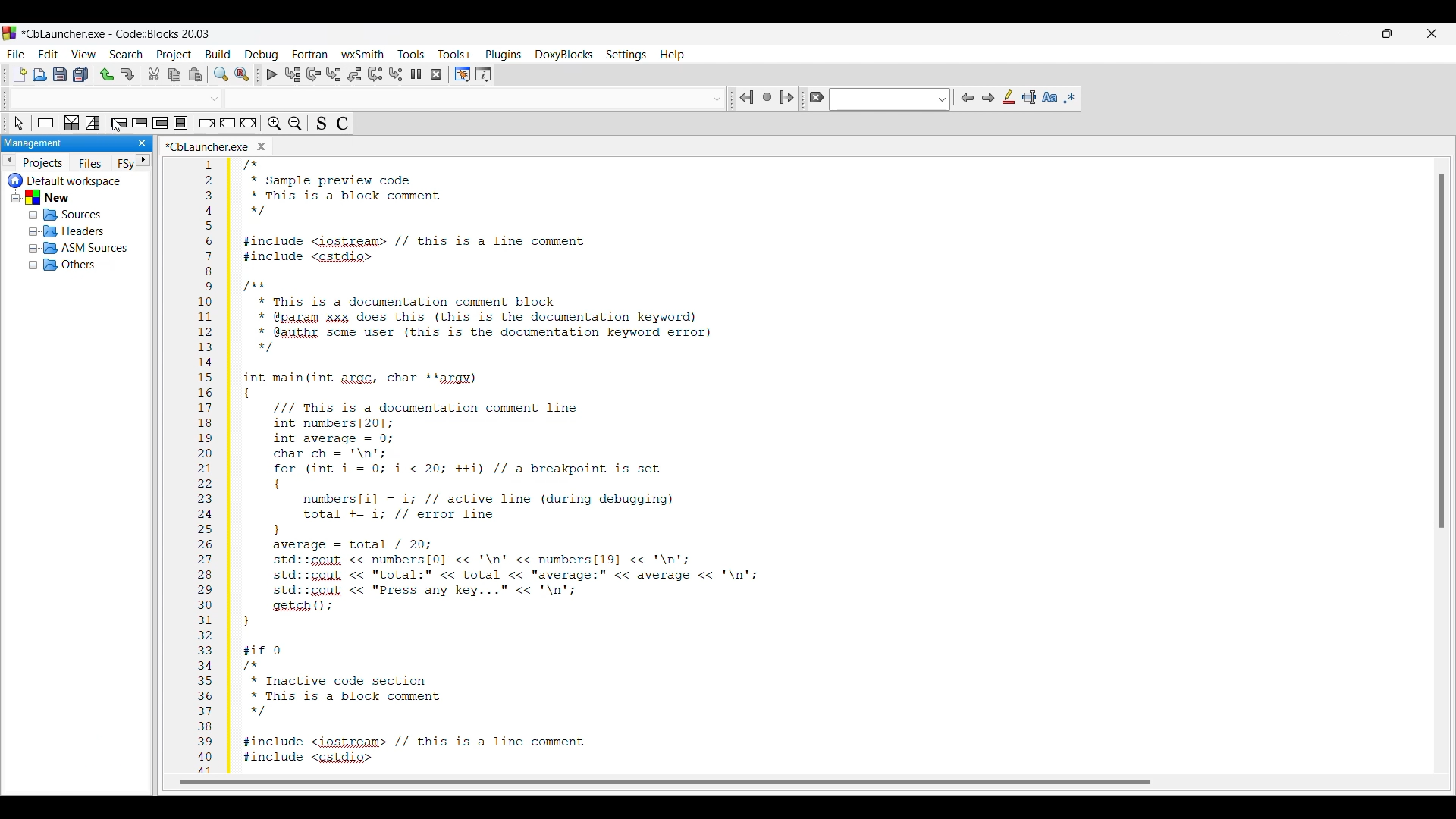 This screenshot has width=1456, height=819. What do you see at coordinates (126, 55) in the screenshot?
I see `Search menu` at bounding box center [126, 55].